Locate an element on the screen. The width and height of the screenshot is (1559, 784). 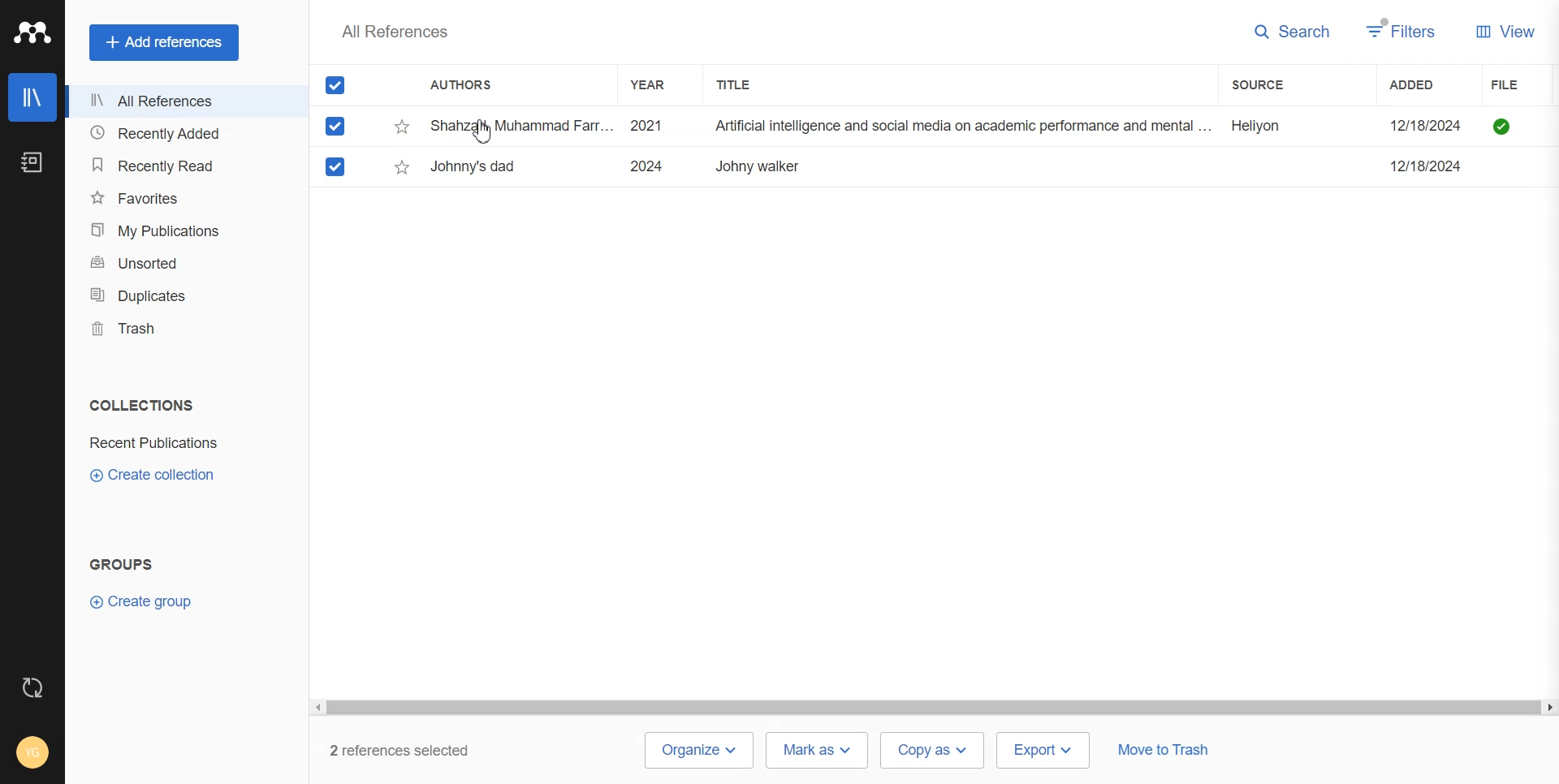
2 references selected is located at coordinates (409, 751).